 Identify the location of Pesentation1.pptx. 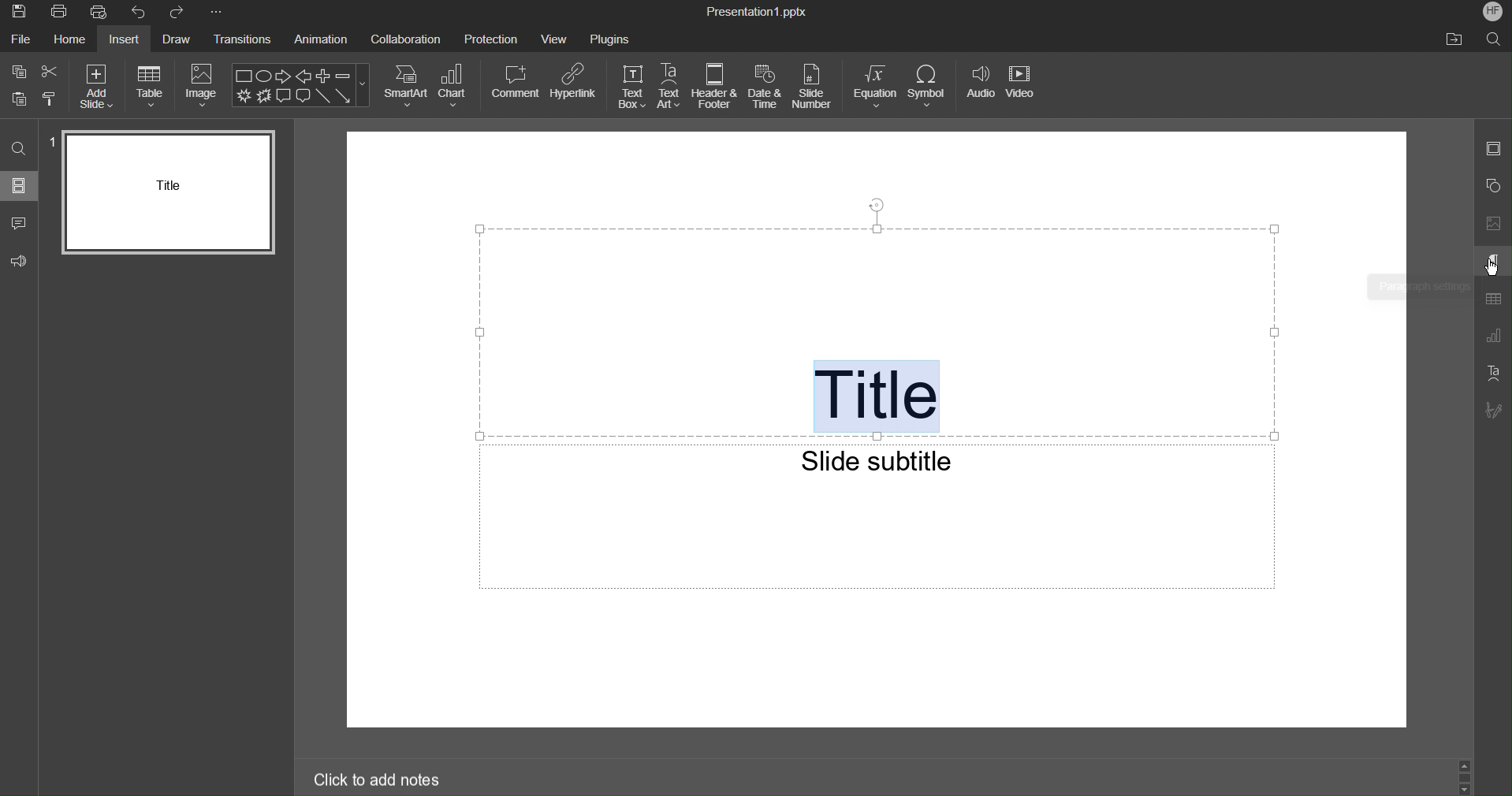
(757, 13).